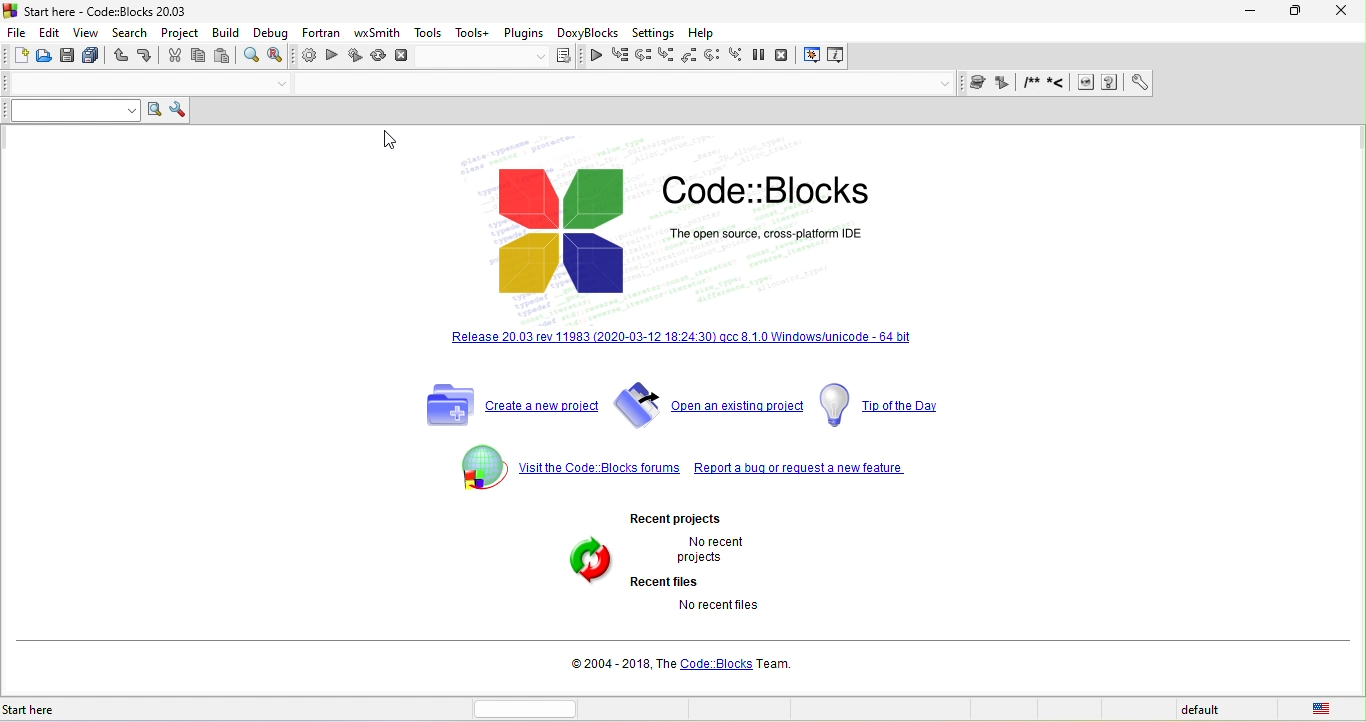  Describe the element at coordinates (405, 59) in the screenshot. I see `abrot` at that location.